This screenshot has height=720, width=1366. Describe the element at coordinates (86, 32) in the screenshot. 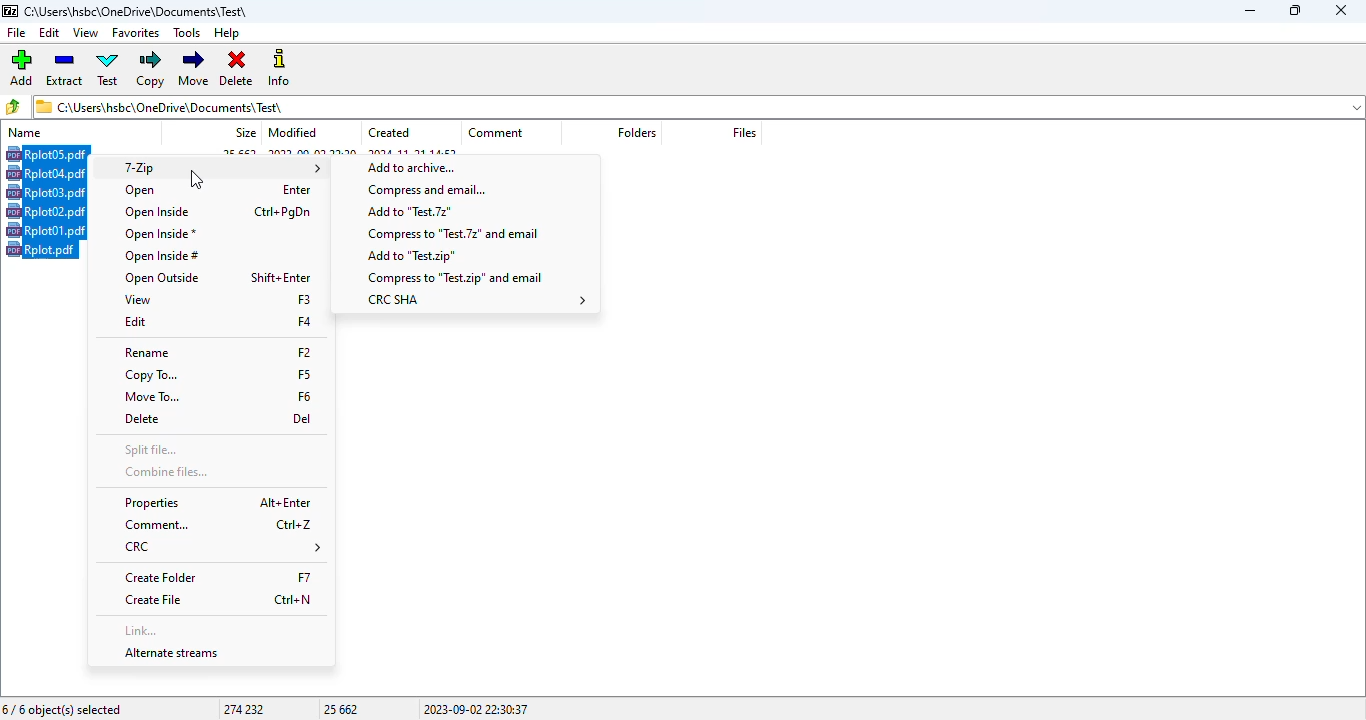

I see `view` at that location.